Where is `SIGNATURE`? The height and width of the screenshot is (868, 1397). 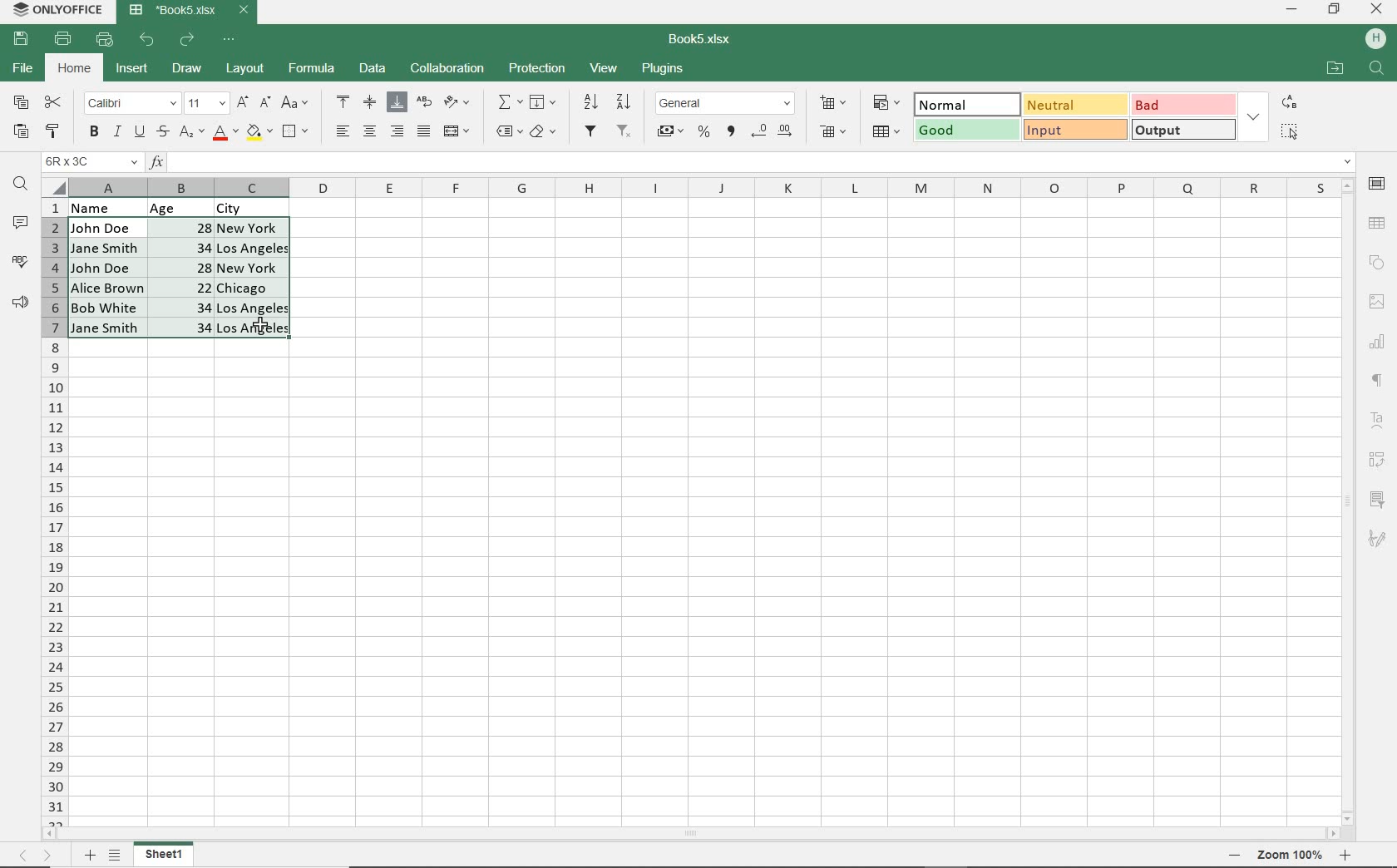 SIGNATURE is located at coordinates (1377, 538).